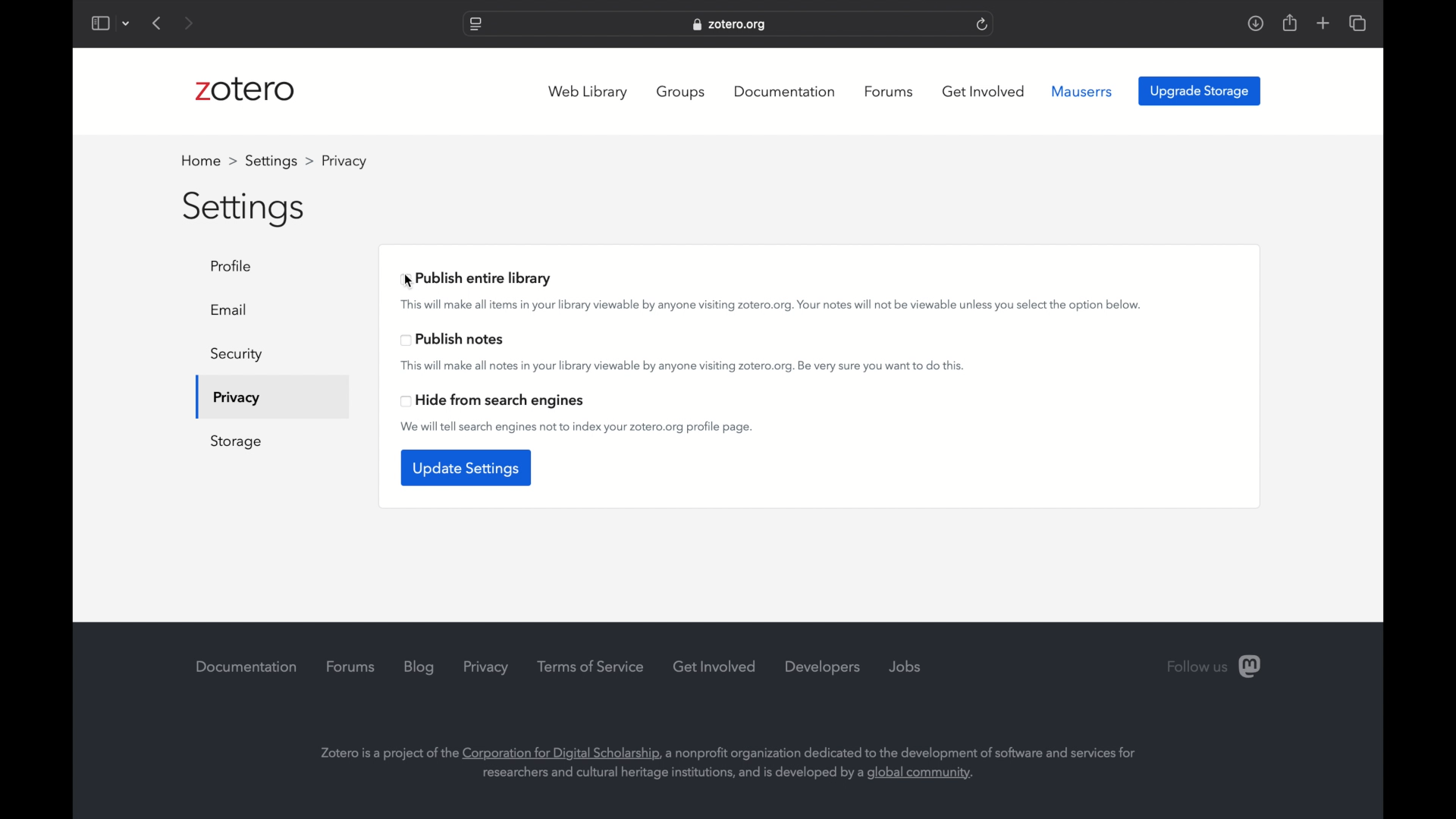 The height and width of the screenshot is (819, 1456). Describe the element at coordinates (467, 468) in the screenshot. I see `update settings` at that location.